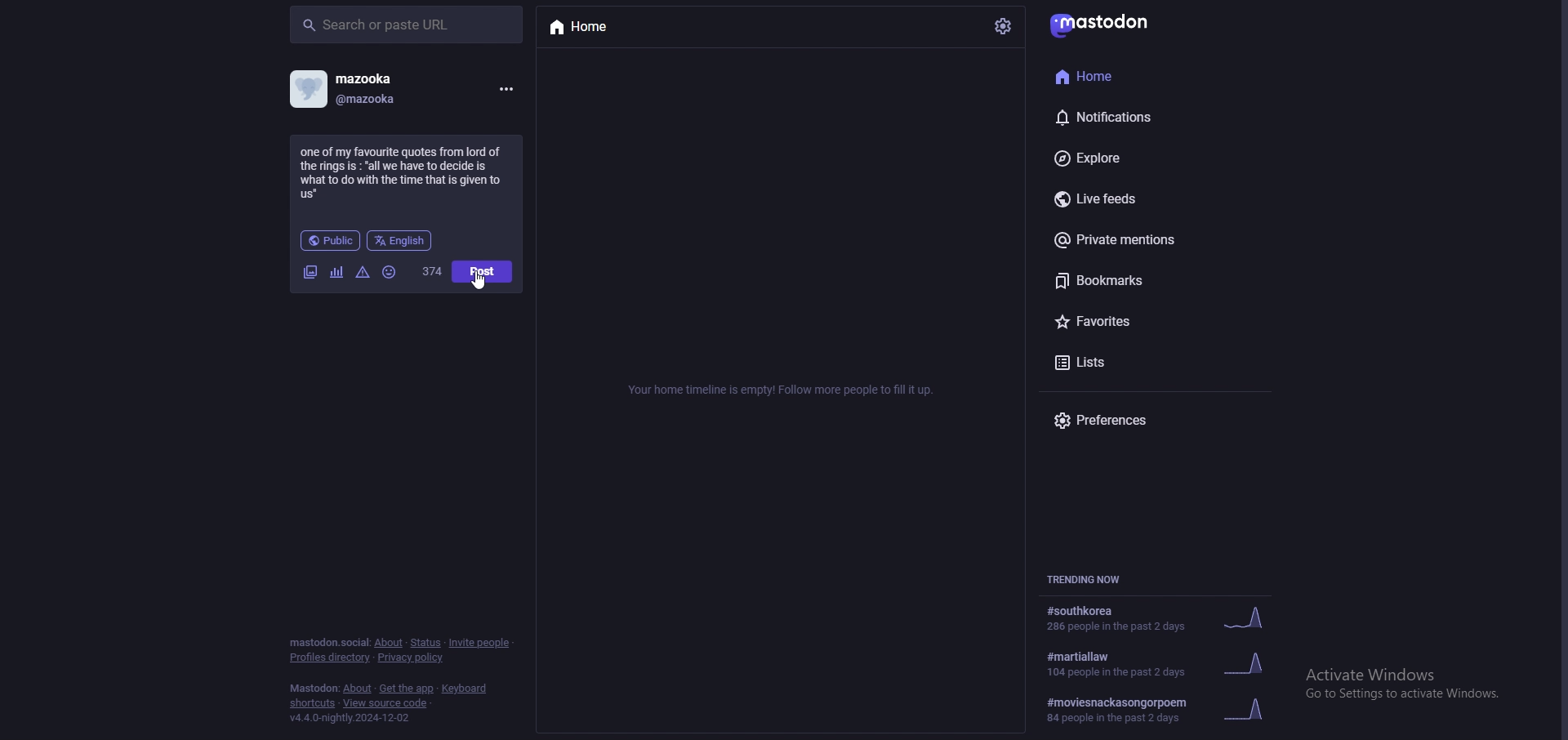  Describe the element at coordinates (390, 273) in the screenshot. I see `emoji` at that location.